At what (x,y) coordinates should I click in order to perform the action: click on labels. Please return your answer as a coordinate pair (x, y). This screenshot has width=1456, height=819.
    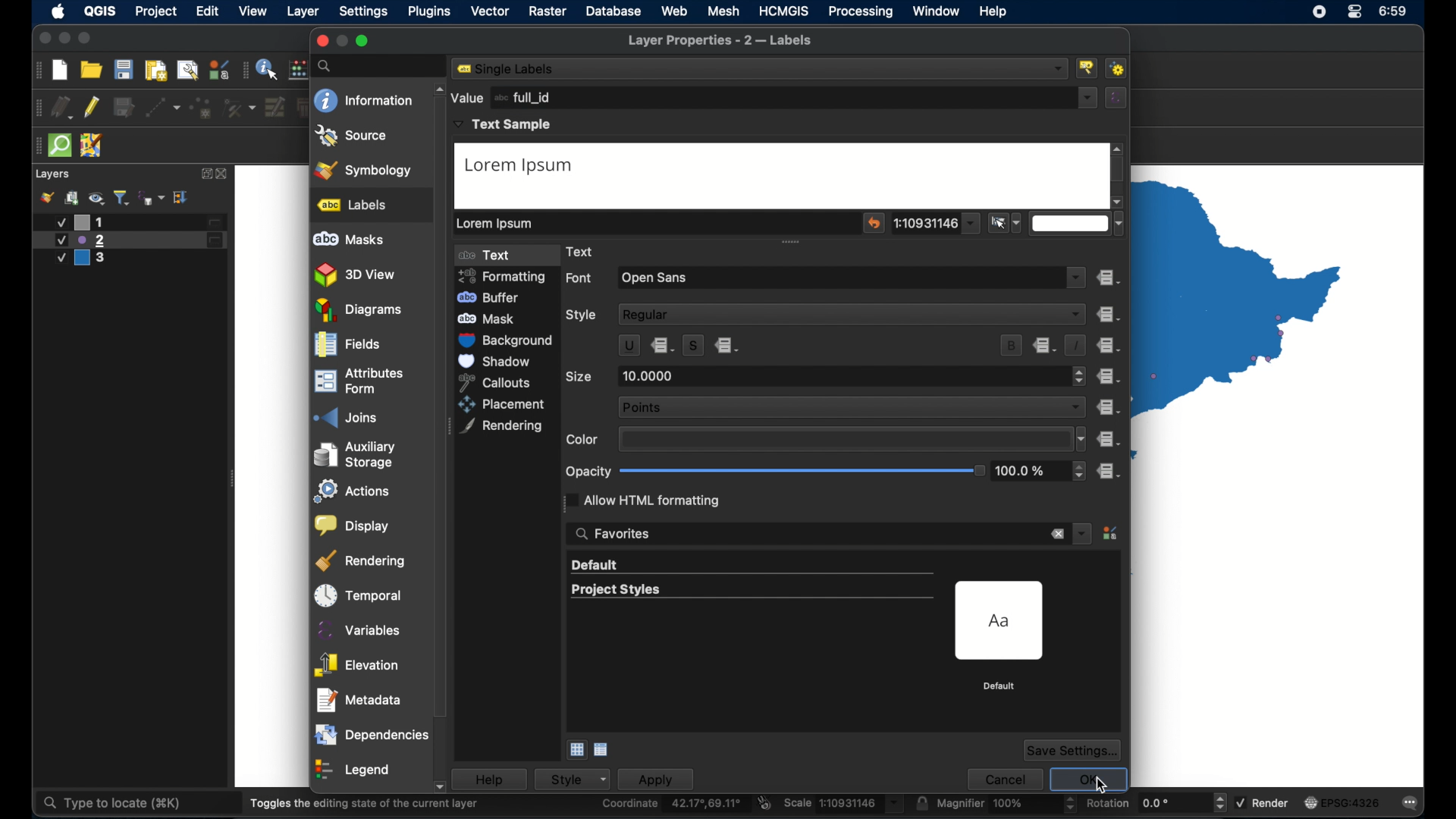
    Looking at the image, I should click on (353, 205).